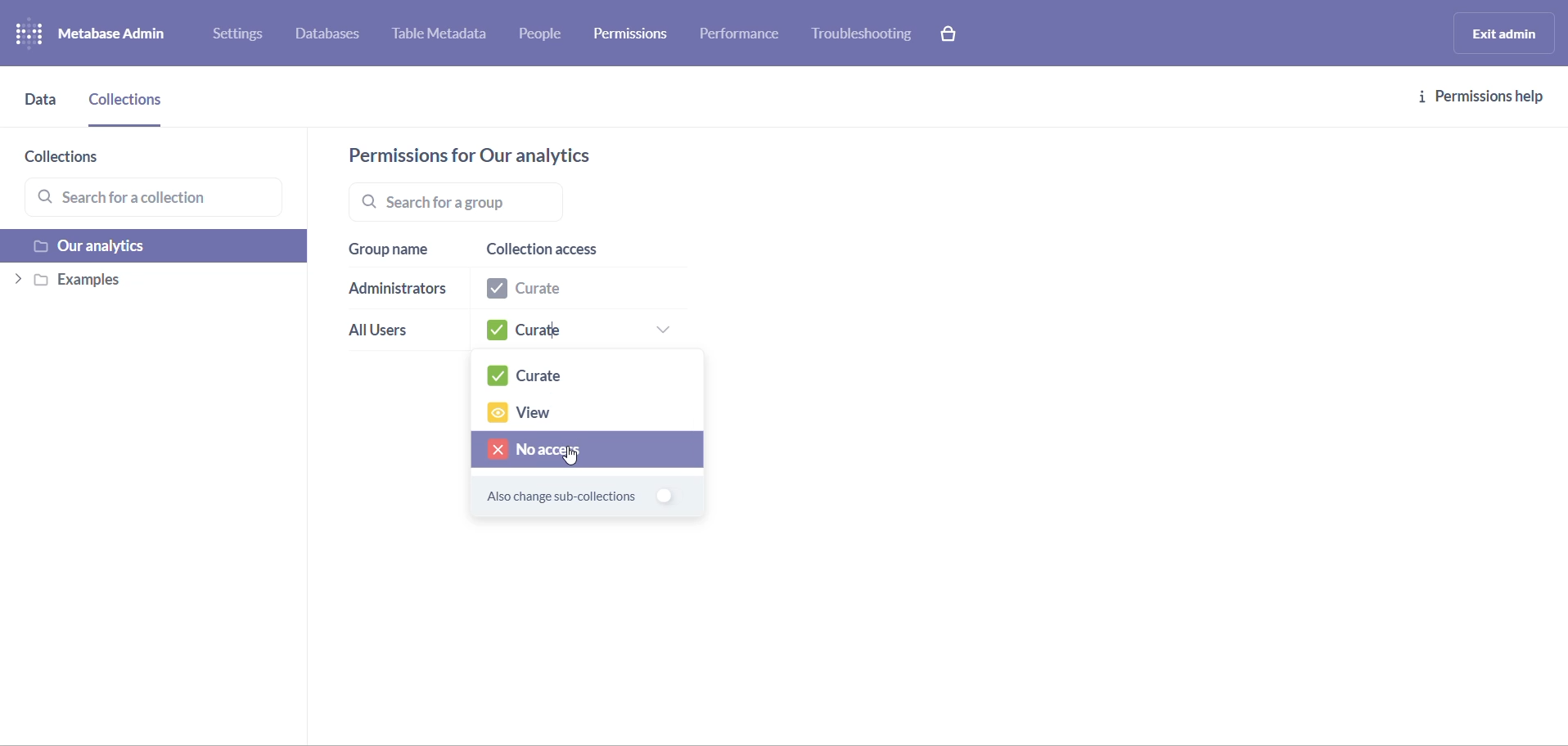 This screenshot has height=746, width=1568. What do you see at coordinates (742, 38) in the screenshot?
I see `performance` at bounding box center [742, 38].